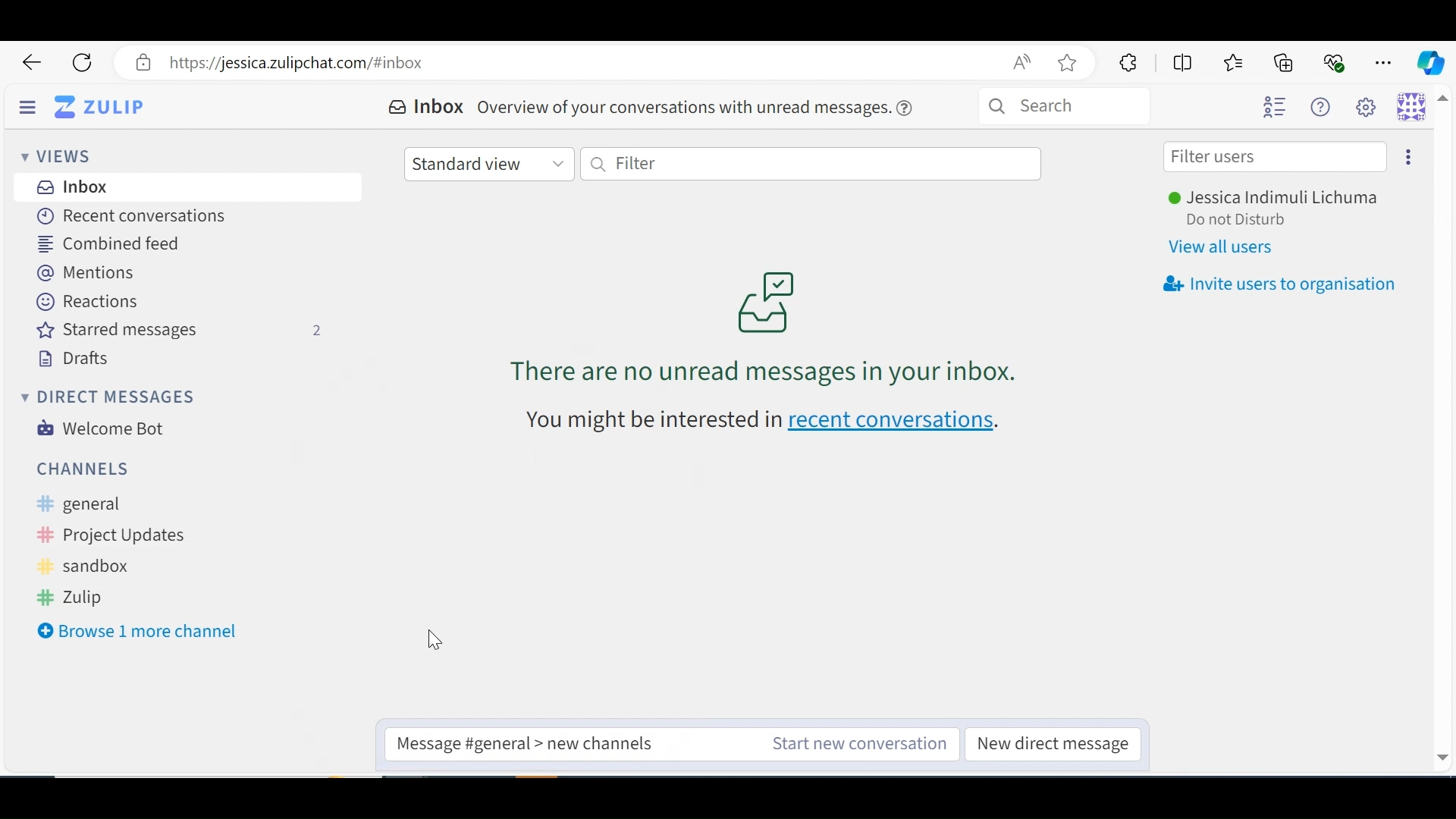 The width and height of the screenshot is (1456, 819). I want to click on Views, so click(55, 155).